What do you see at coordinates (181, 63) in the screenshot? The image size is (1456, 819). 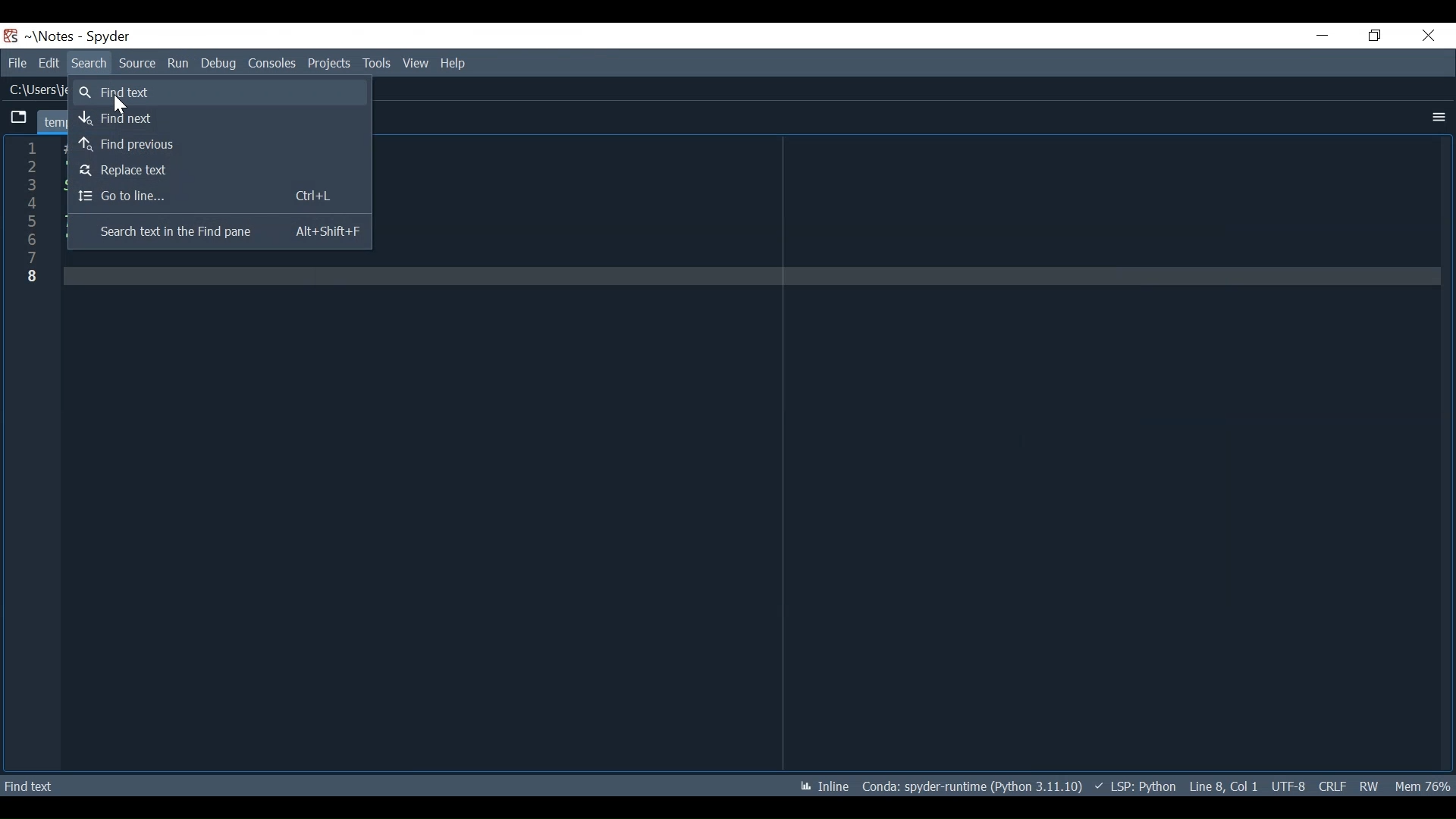 I see `Run` at bounding box center [181, 63].